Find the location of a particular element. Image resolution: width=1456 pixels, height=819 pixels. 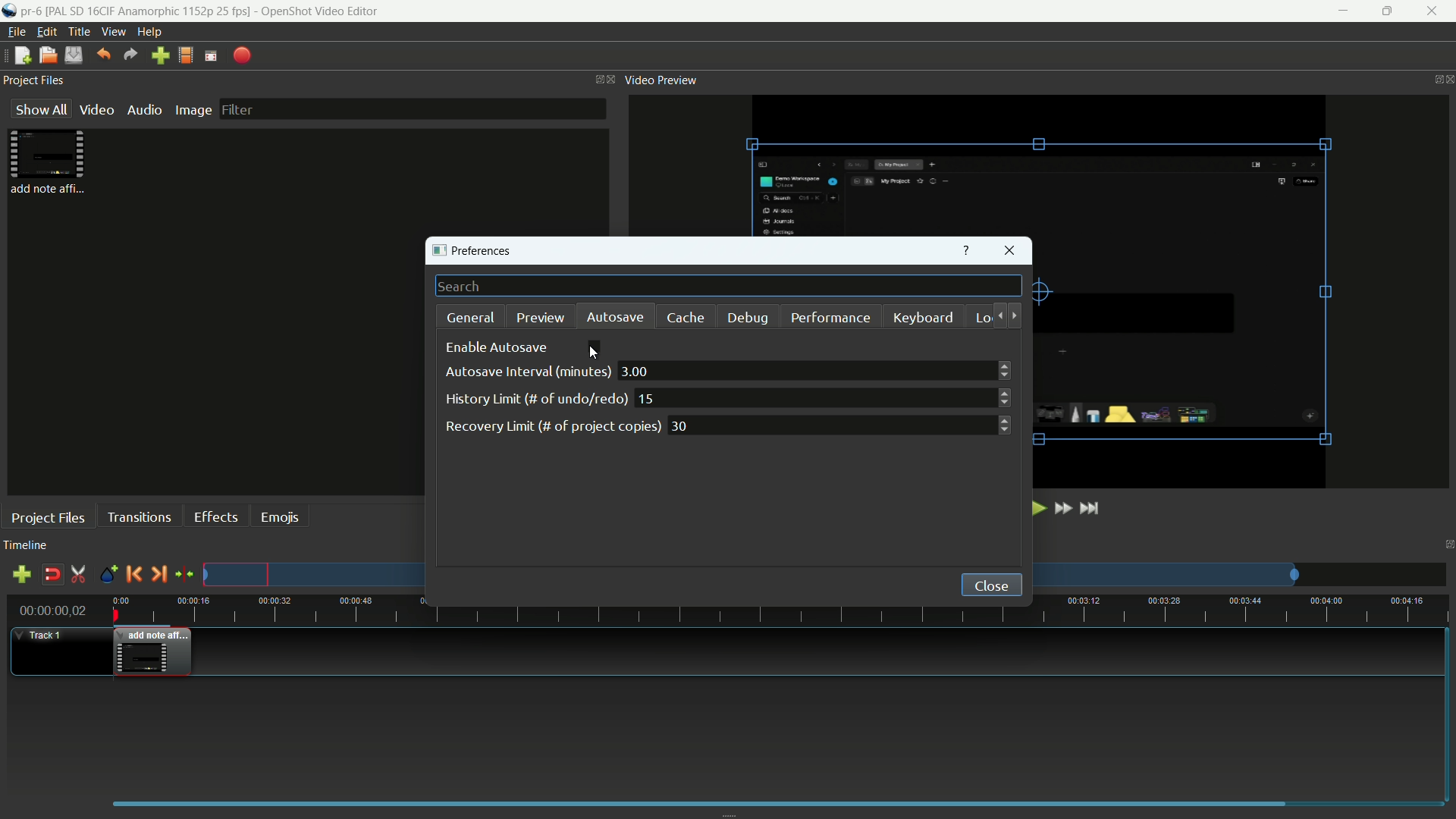

close window is located at coordinates (1009, 250).